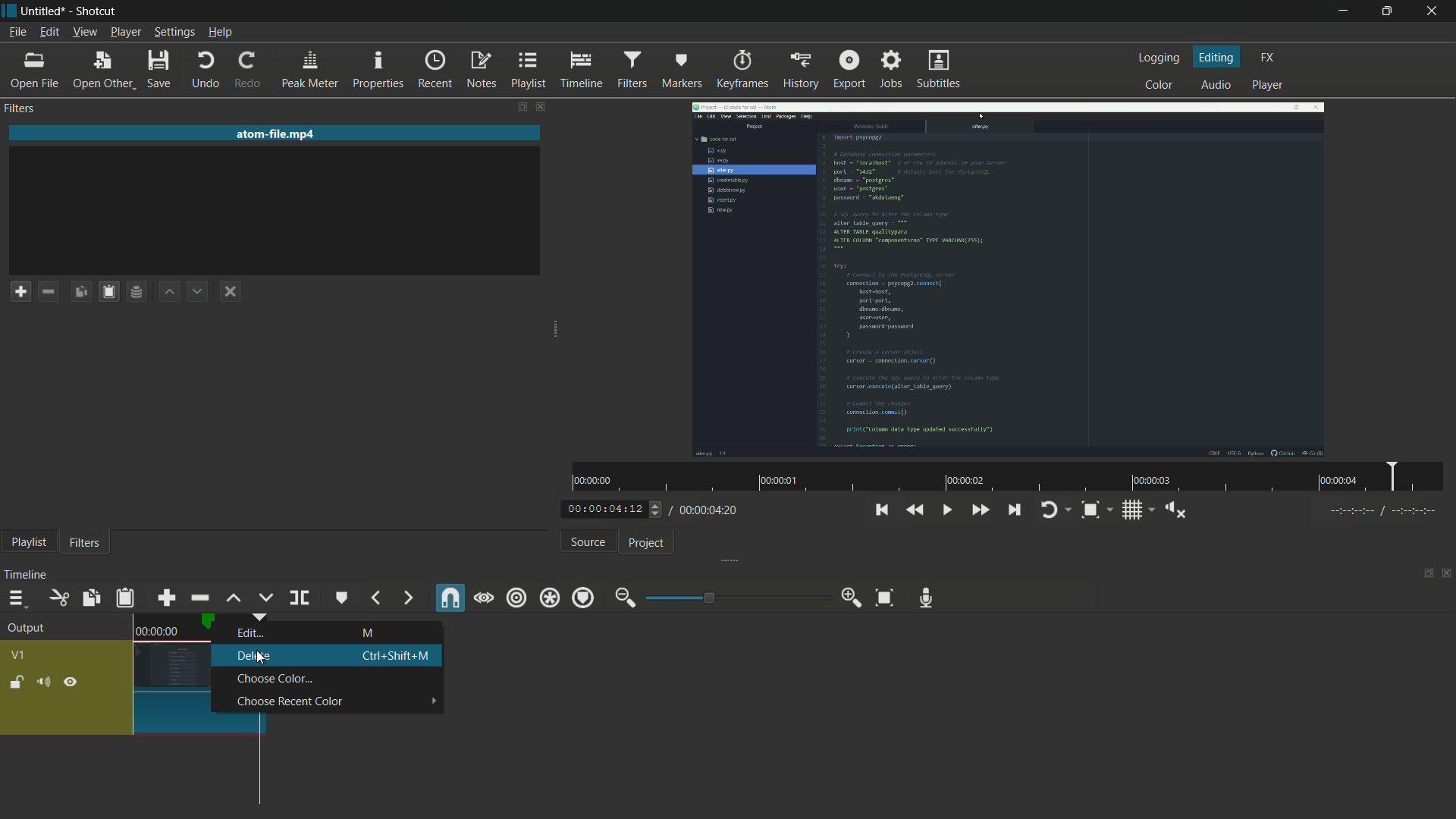 Image resolution: width=1456 pixels, height=819 pixels. I want to click on audio, so click(1217, 86).